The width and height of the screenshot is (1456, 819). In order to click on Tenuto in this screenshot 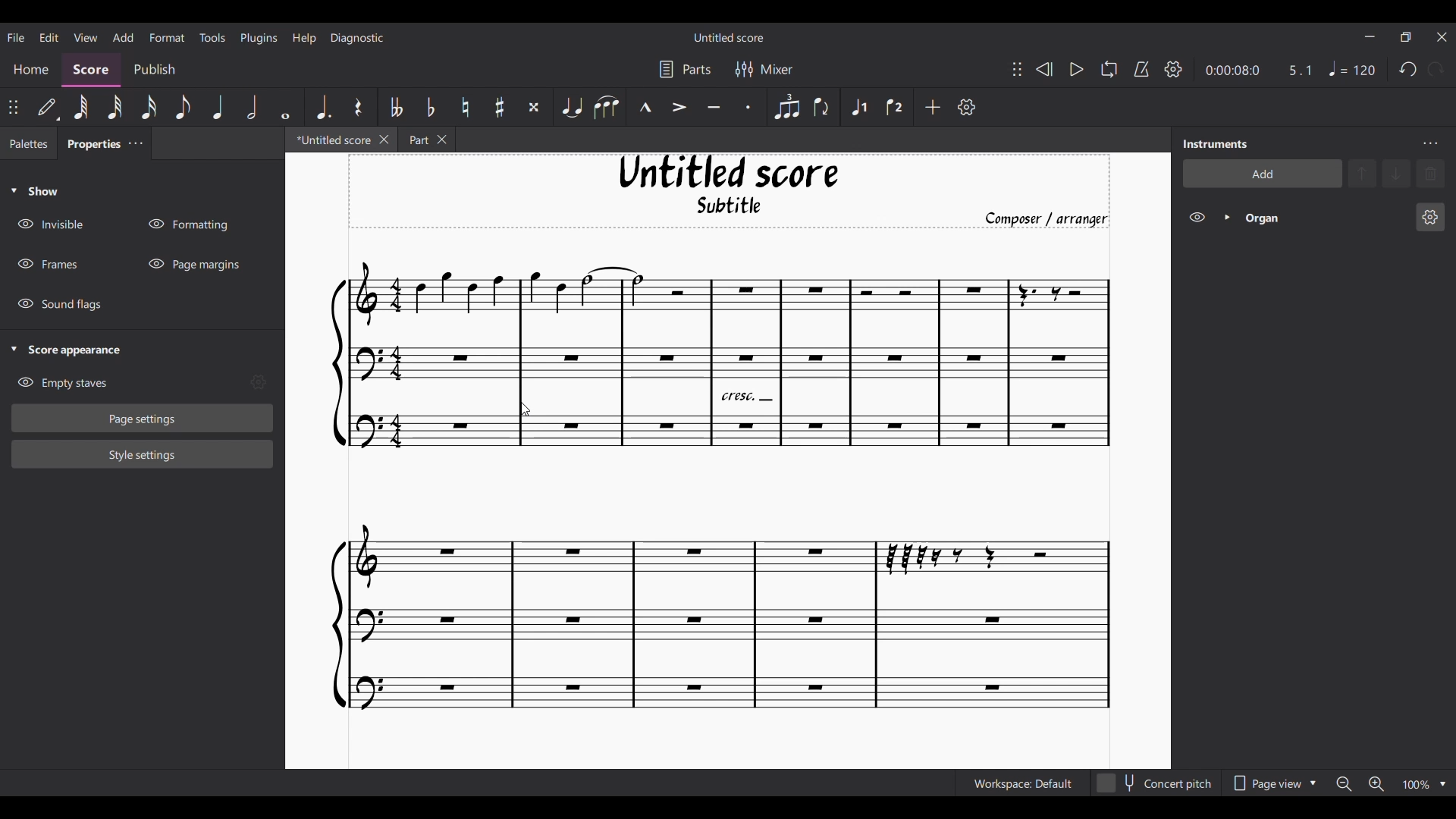, I will do `click(714, 108)`.